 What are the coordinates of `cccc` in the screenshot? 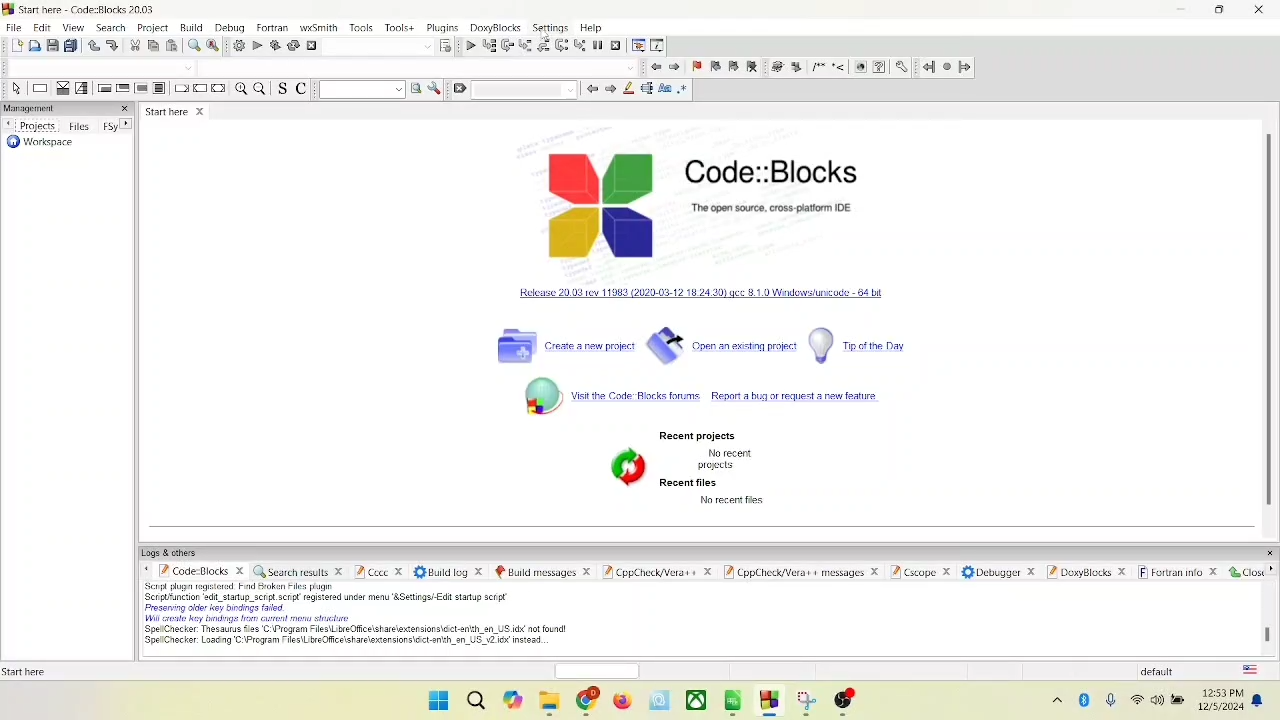 It's located at (377, 572).